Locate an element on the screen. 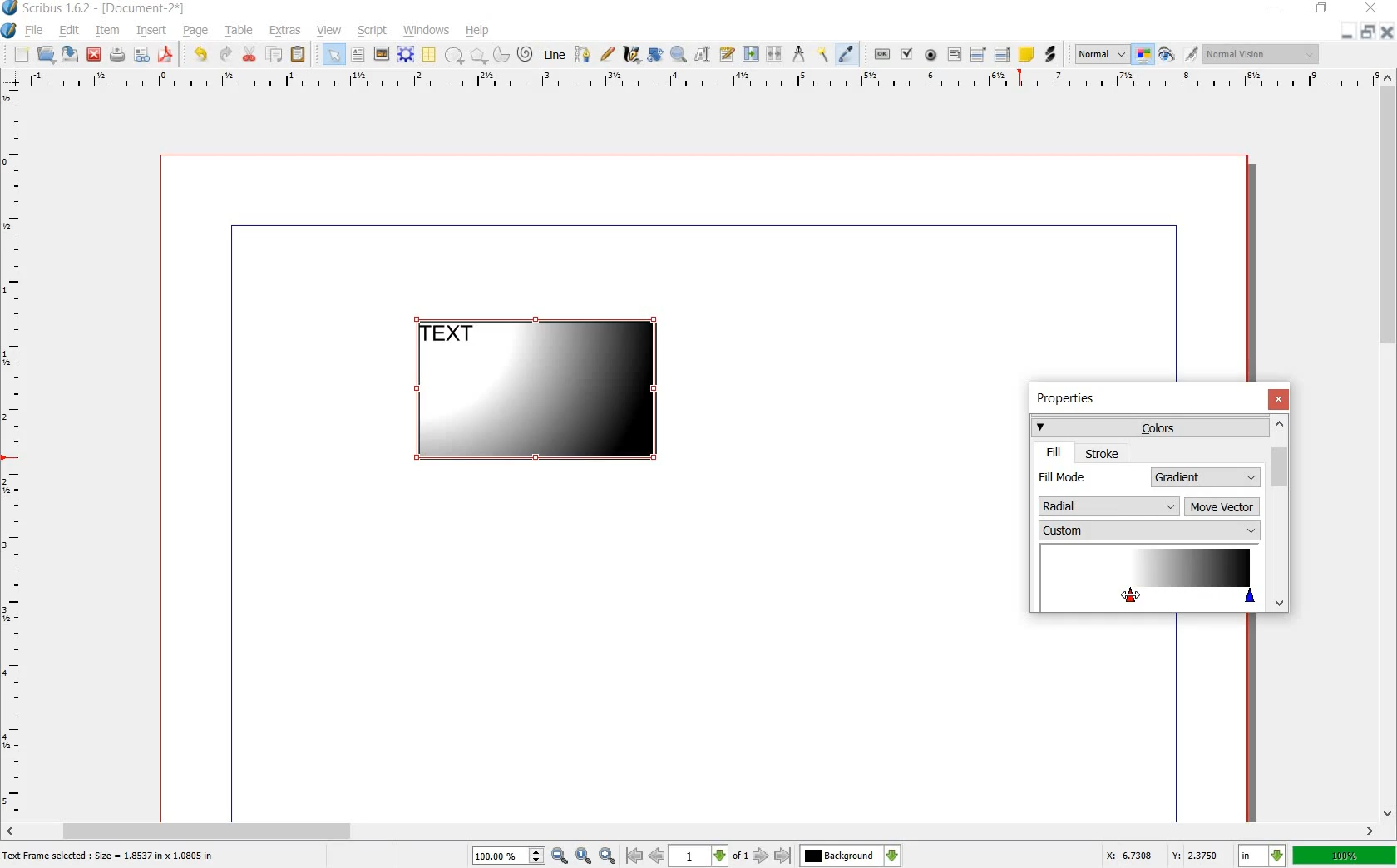  zoom in is located at coordinates (608, 856).